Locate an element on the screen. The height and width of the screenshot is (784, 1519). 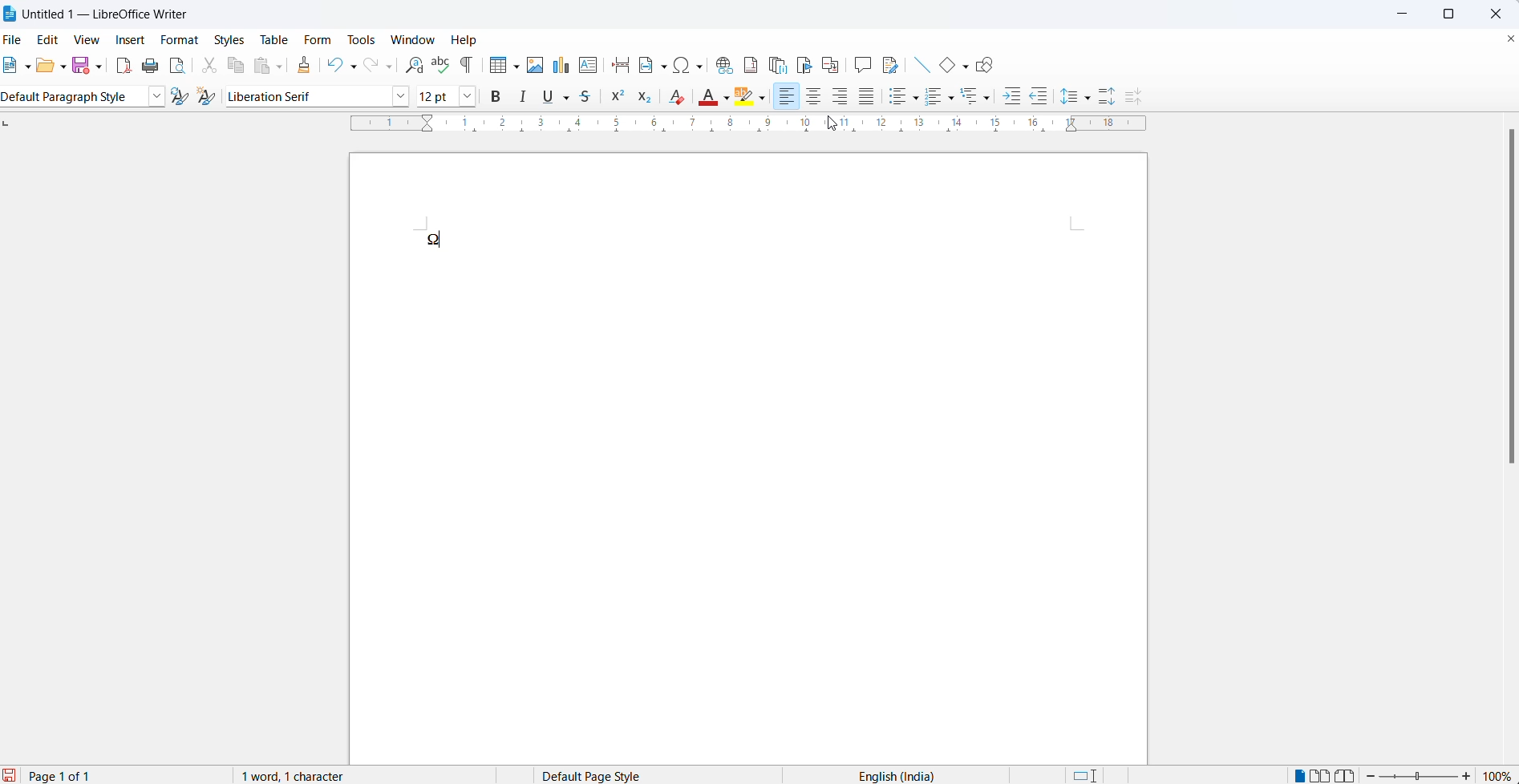
export as pdf is located at coordinates (120, 66).